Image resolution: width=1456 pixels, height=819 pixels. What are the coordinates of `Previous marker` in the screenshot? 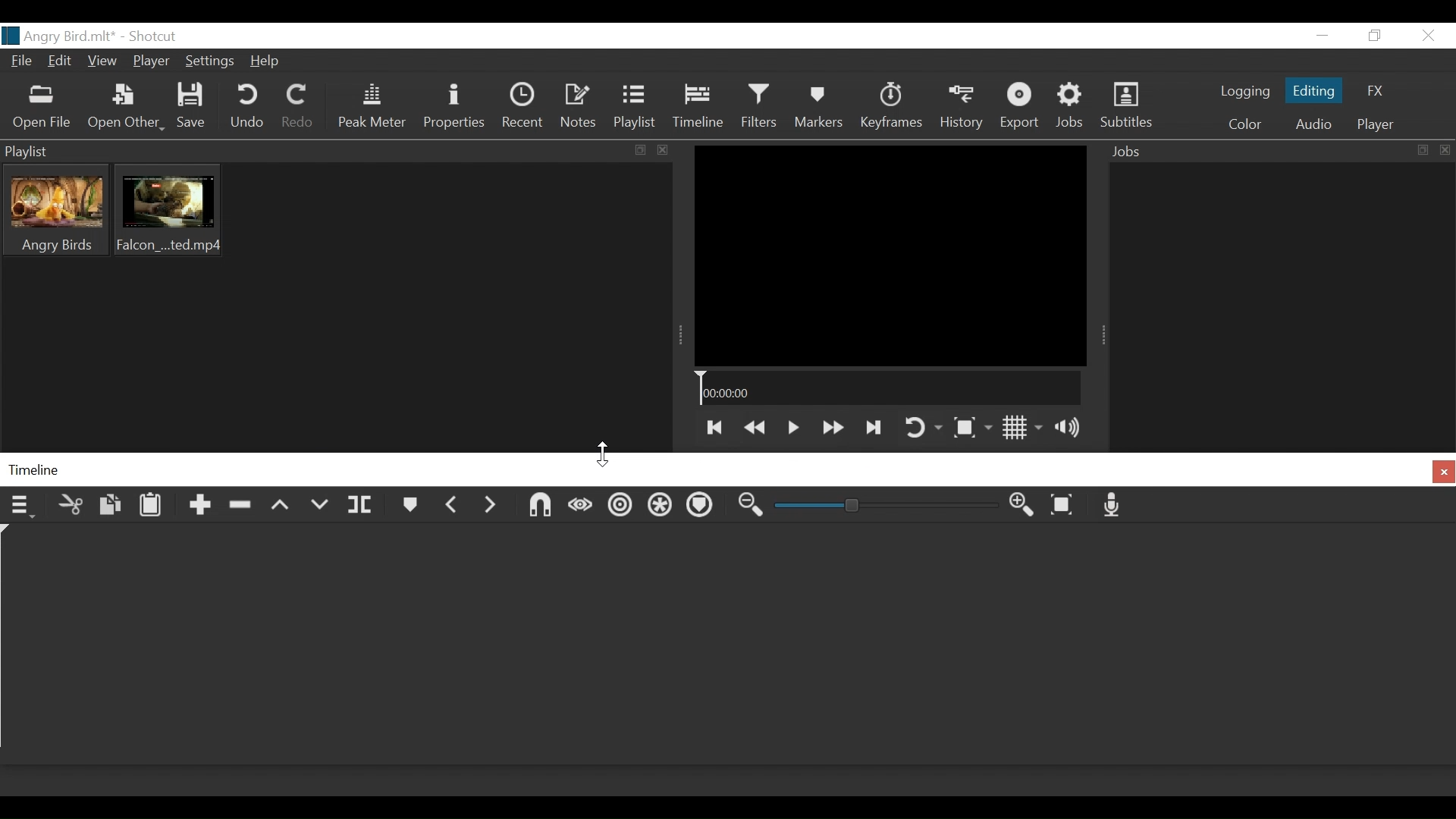 It's located at (453, 508).